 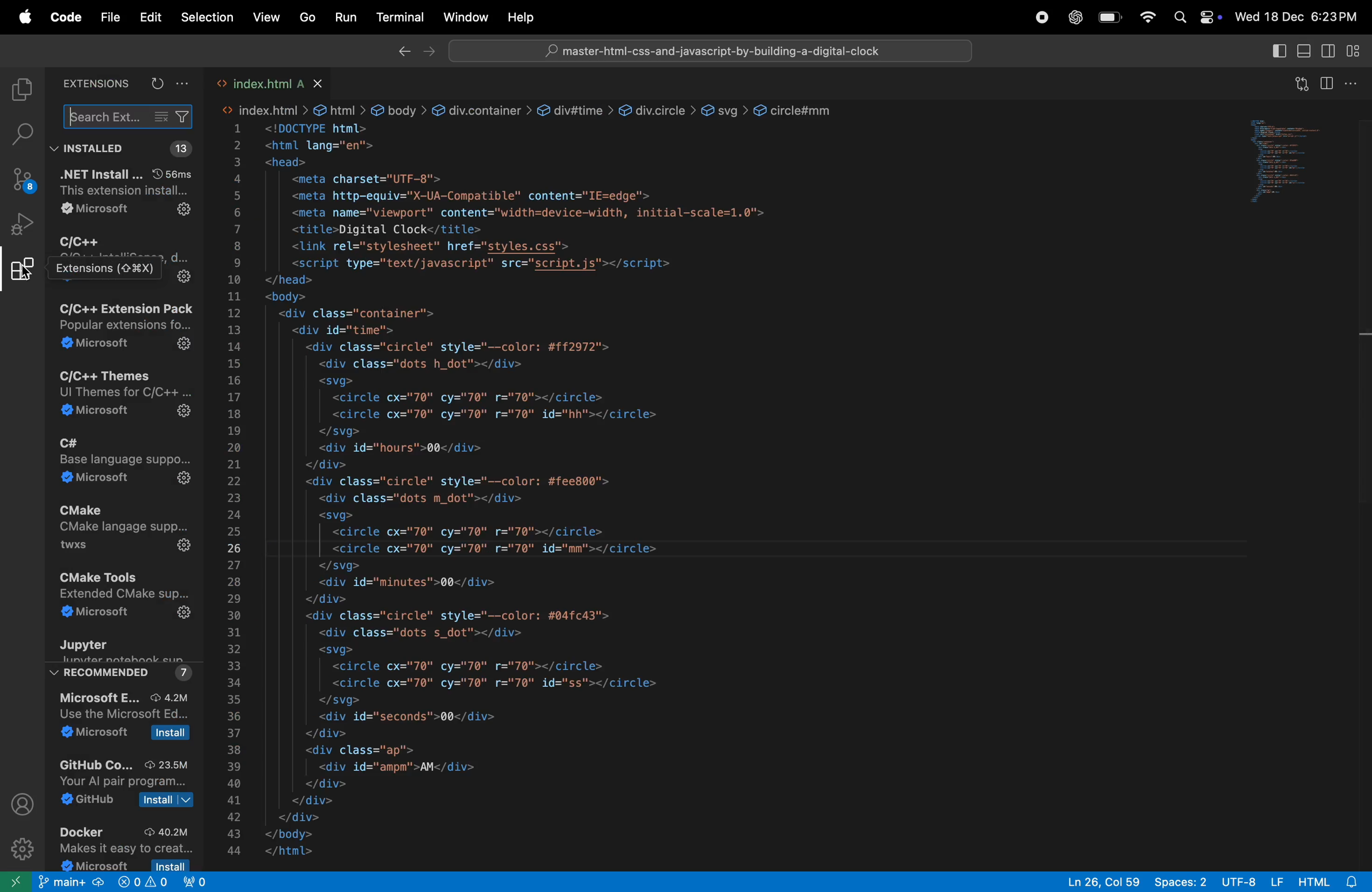 I want to click on battery, so click(x=1110, y=19).